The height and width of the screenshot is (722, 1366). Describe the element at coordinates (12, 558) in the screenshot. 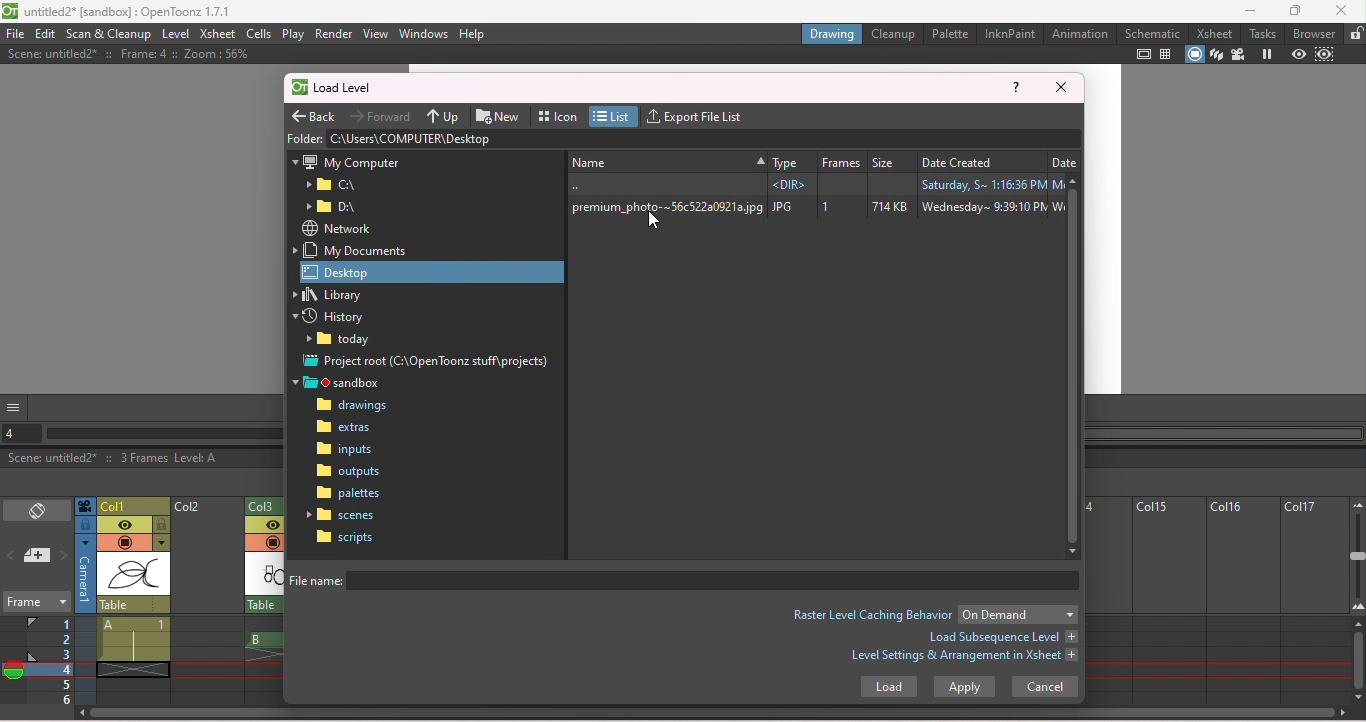

I see `Previous memo` at that location.